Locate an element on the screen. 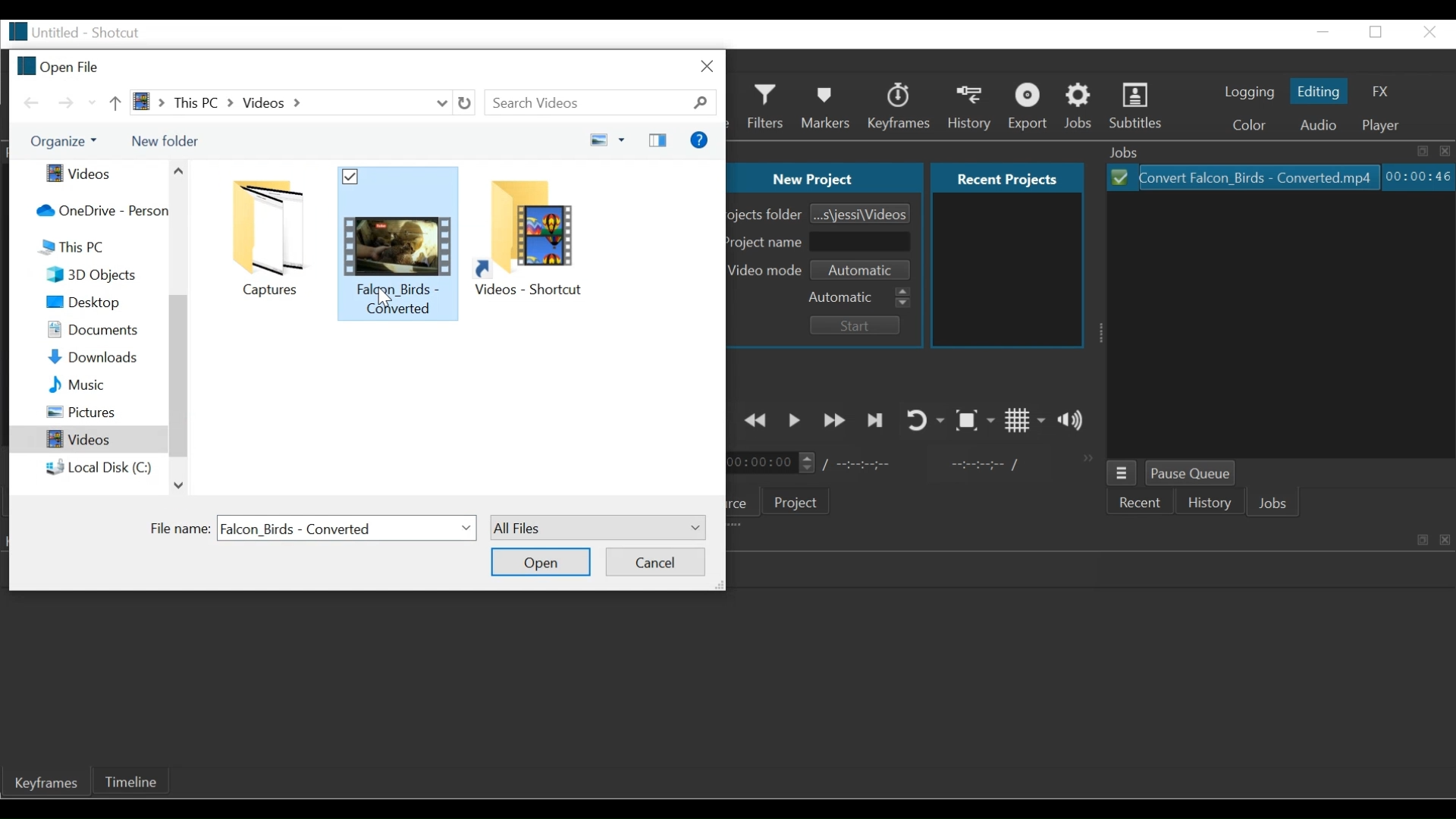 The image size is (1456, 819). minimize is located at coordinates (1323, 32).